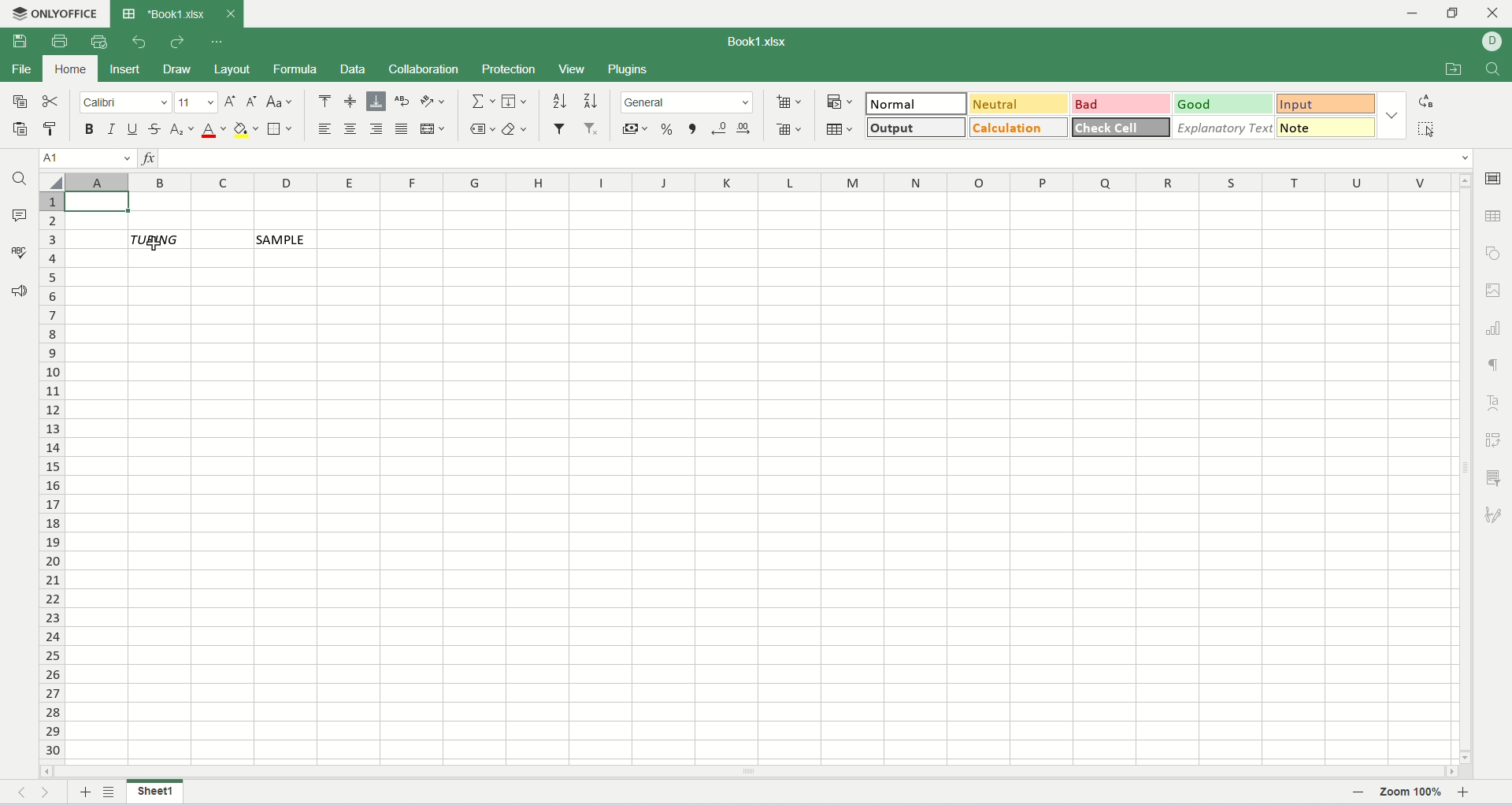  What do you see at coordinates (18, 214) in the screenshot?
I see `comment` at bounding box center [18, 214].